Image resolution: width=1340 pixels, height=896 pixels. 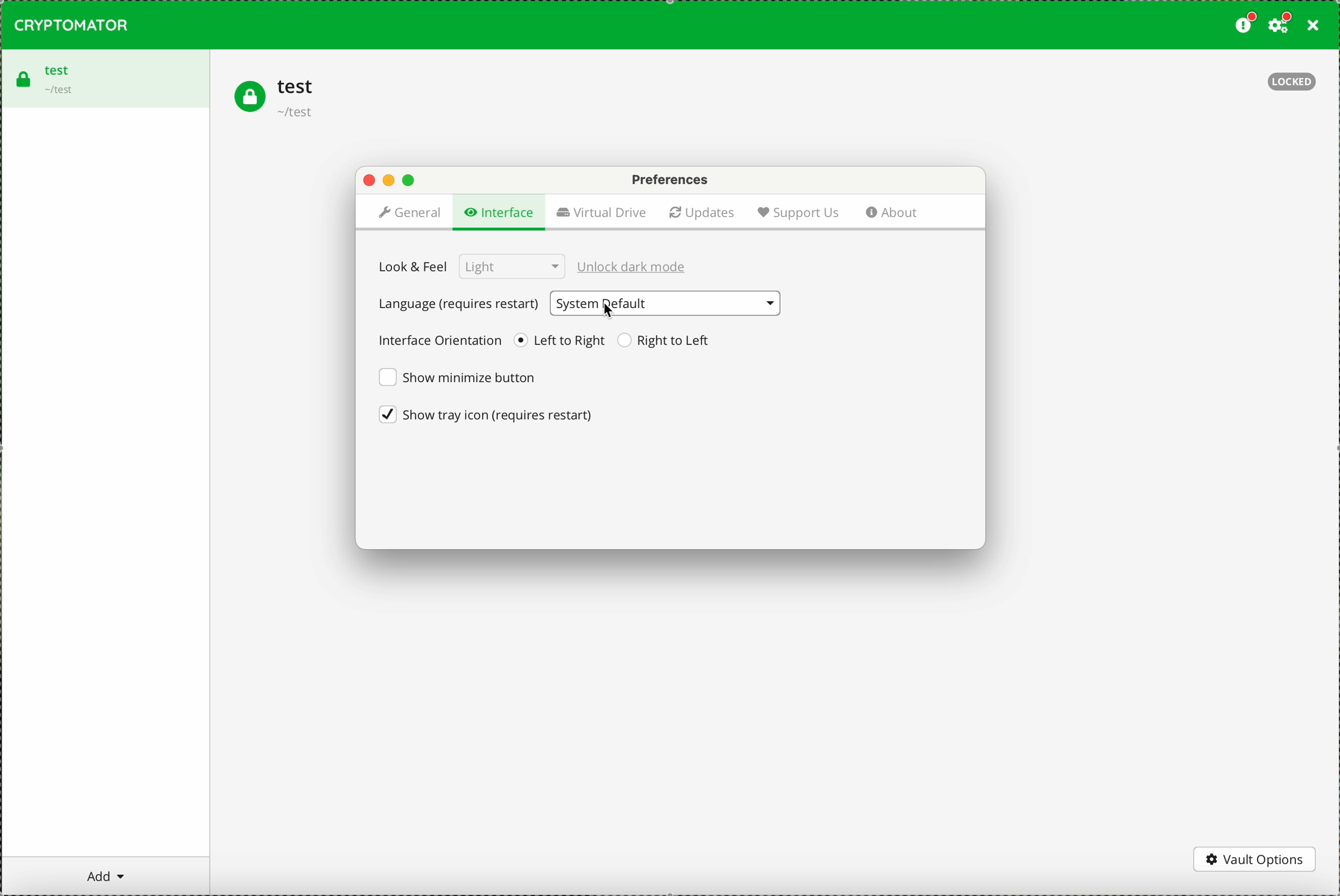 I want to click on support us, so click(x=799, y=213).